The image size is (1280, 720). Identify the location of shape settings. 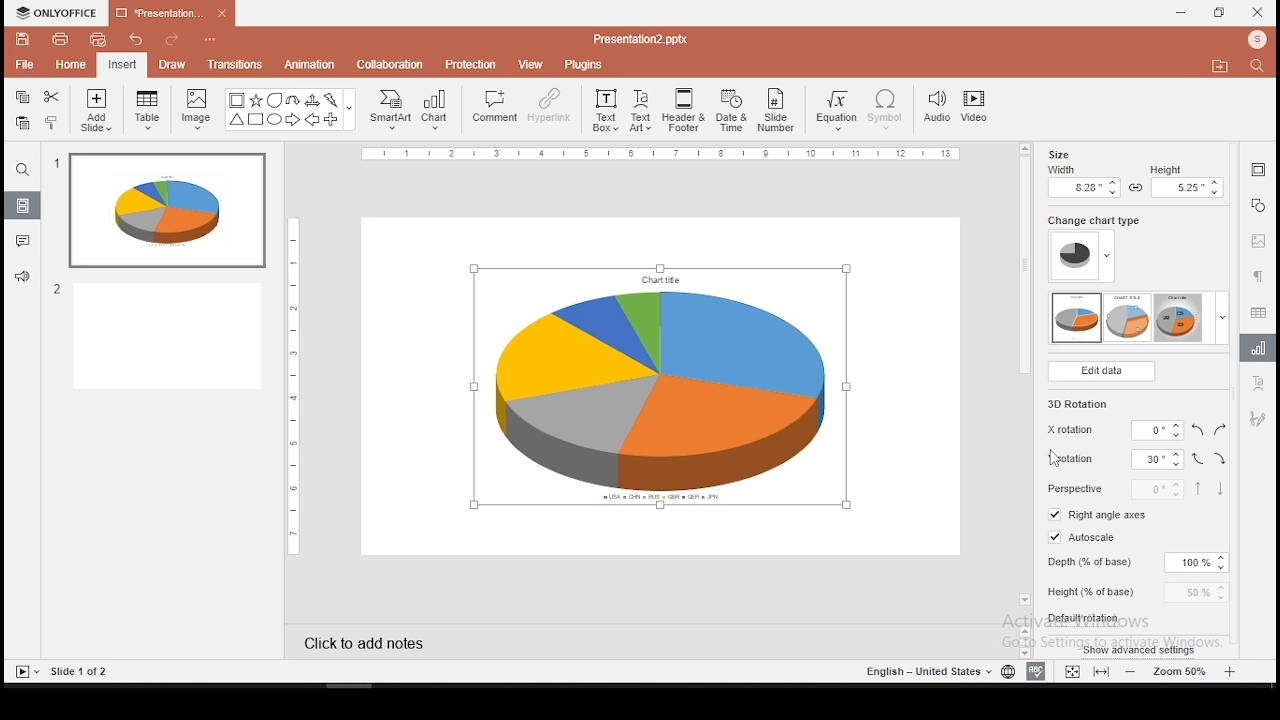
(1257, 205).